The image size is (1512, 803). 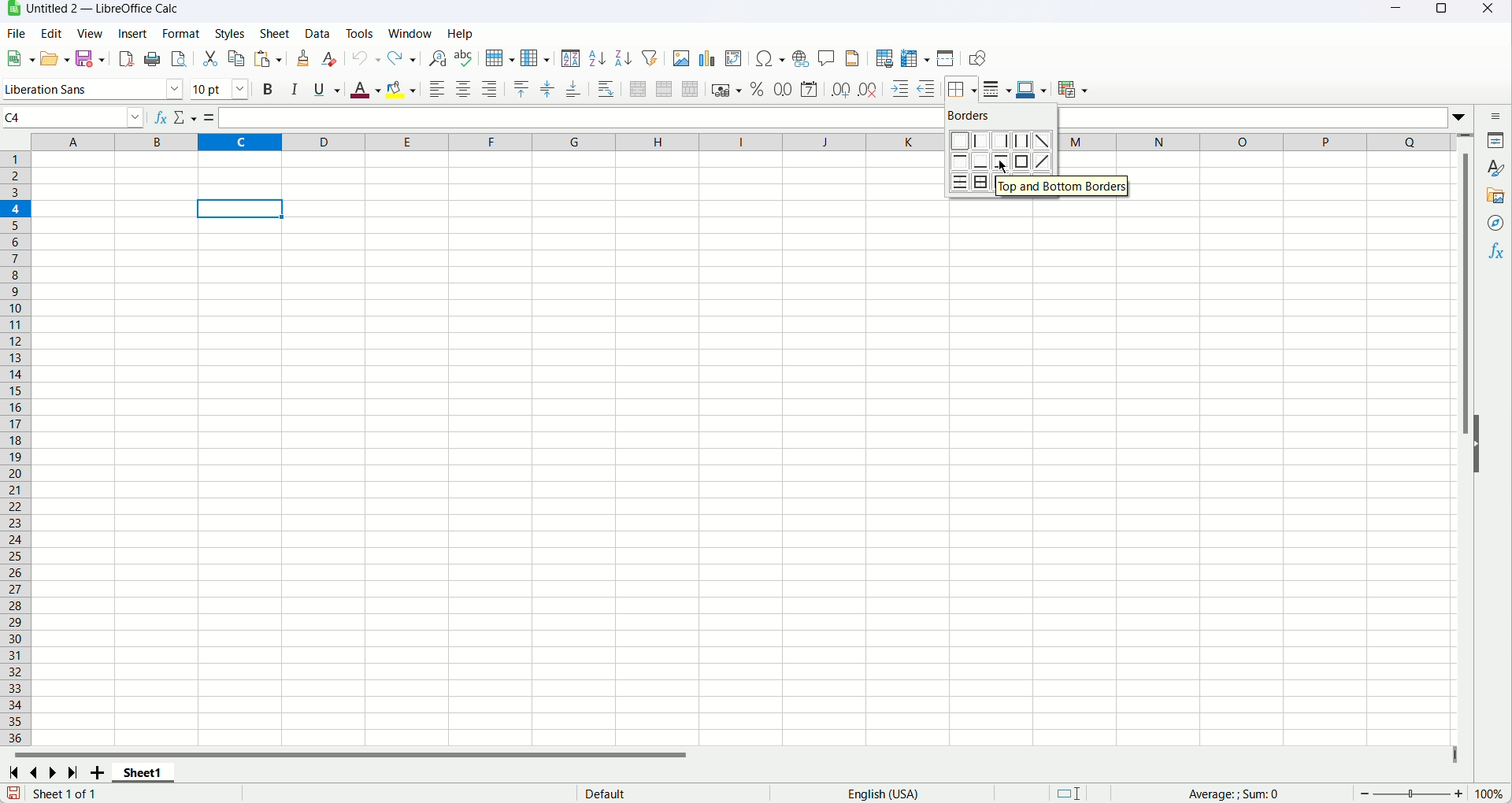 I want to click on cursor, so click(x=1006, y=167).